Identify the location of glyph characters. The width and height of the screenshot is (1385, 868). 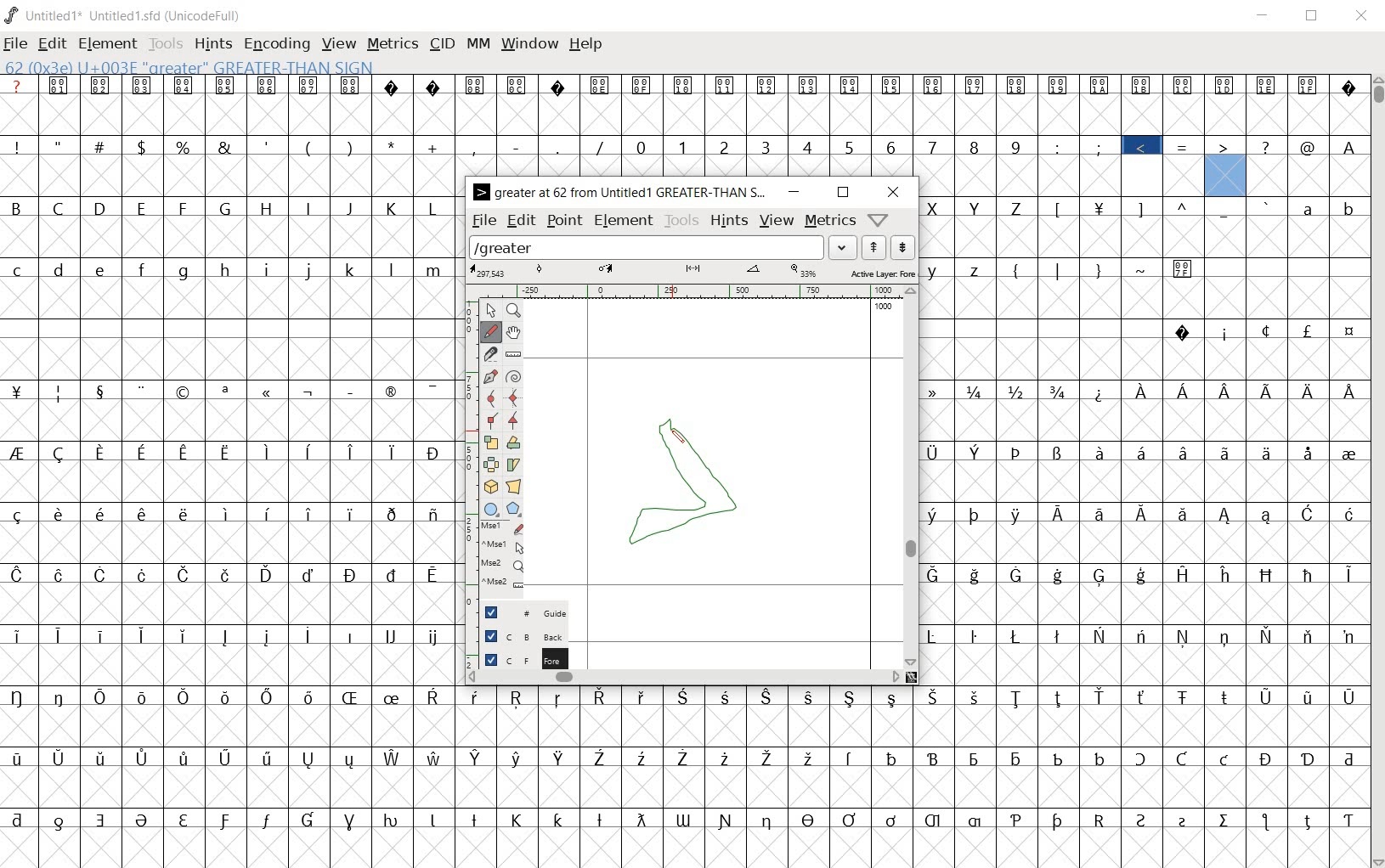
(1145, 442).